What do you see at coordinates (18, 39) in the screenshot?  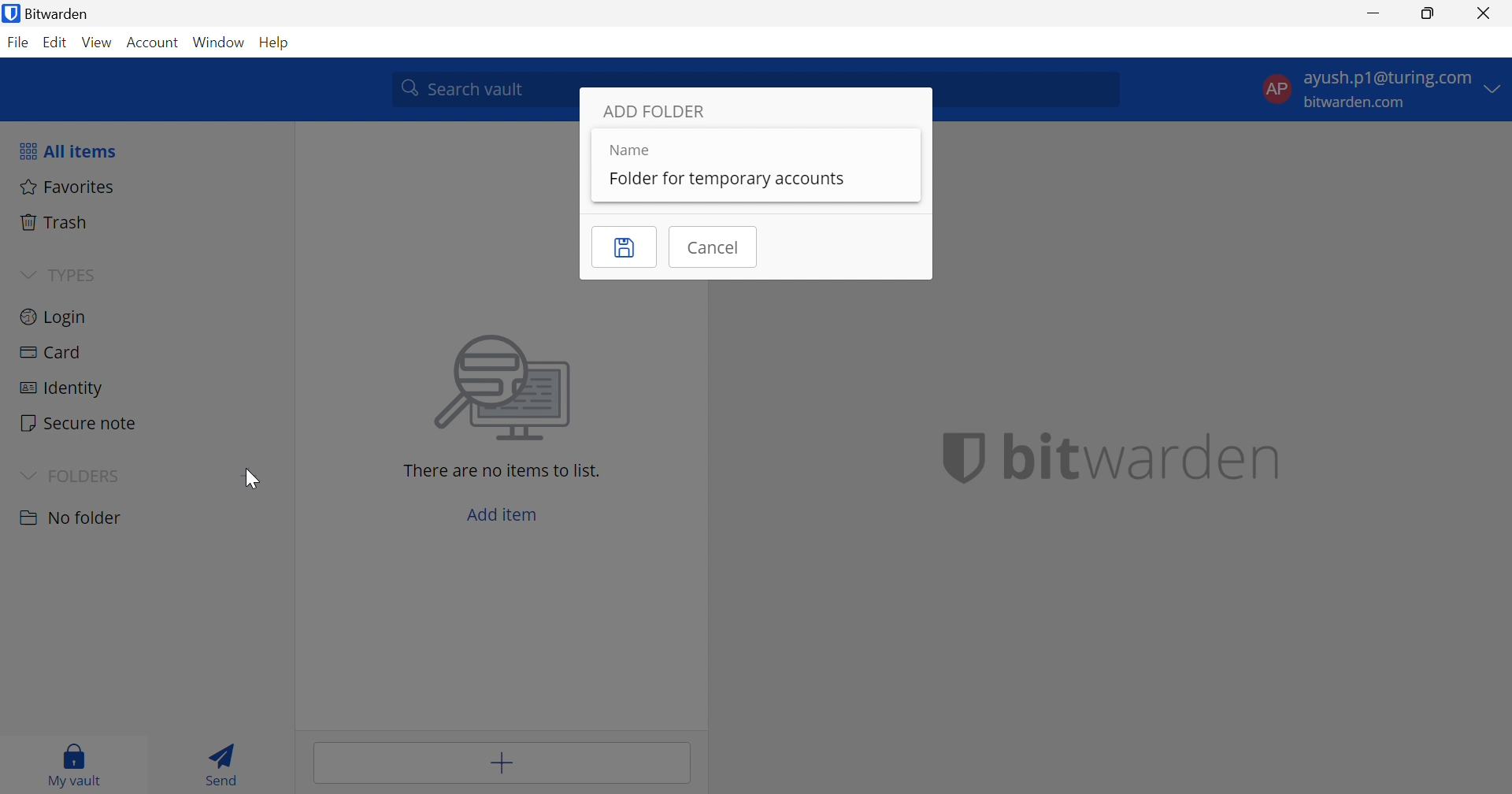 I see `File` at bounding box center [18, 39].